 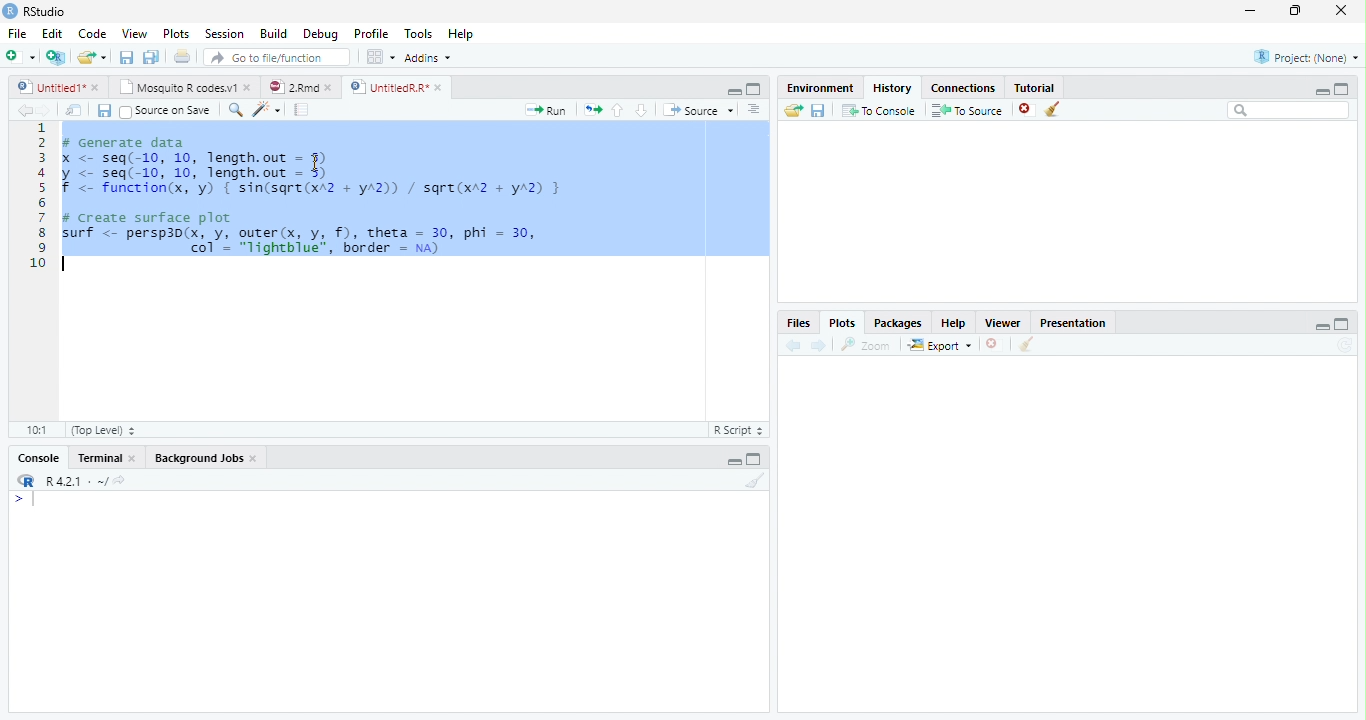 I want to click on minimize, so click(x=1322, y=91).